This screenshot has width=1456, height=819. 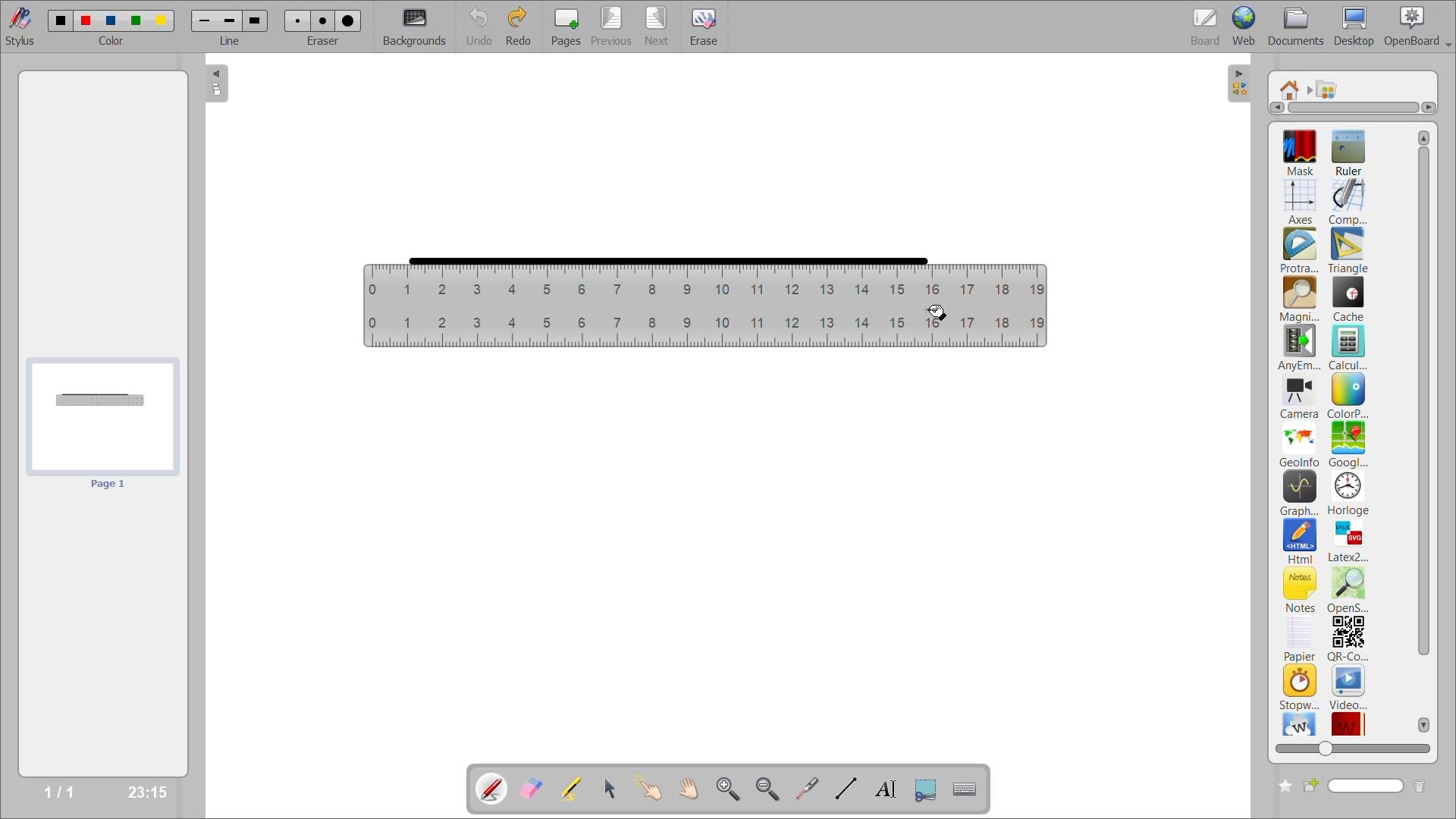 What do you see at coordinates (1348, 251) in the screenshot?
I see `triangle` at bounding box center [1348, 251].